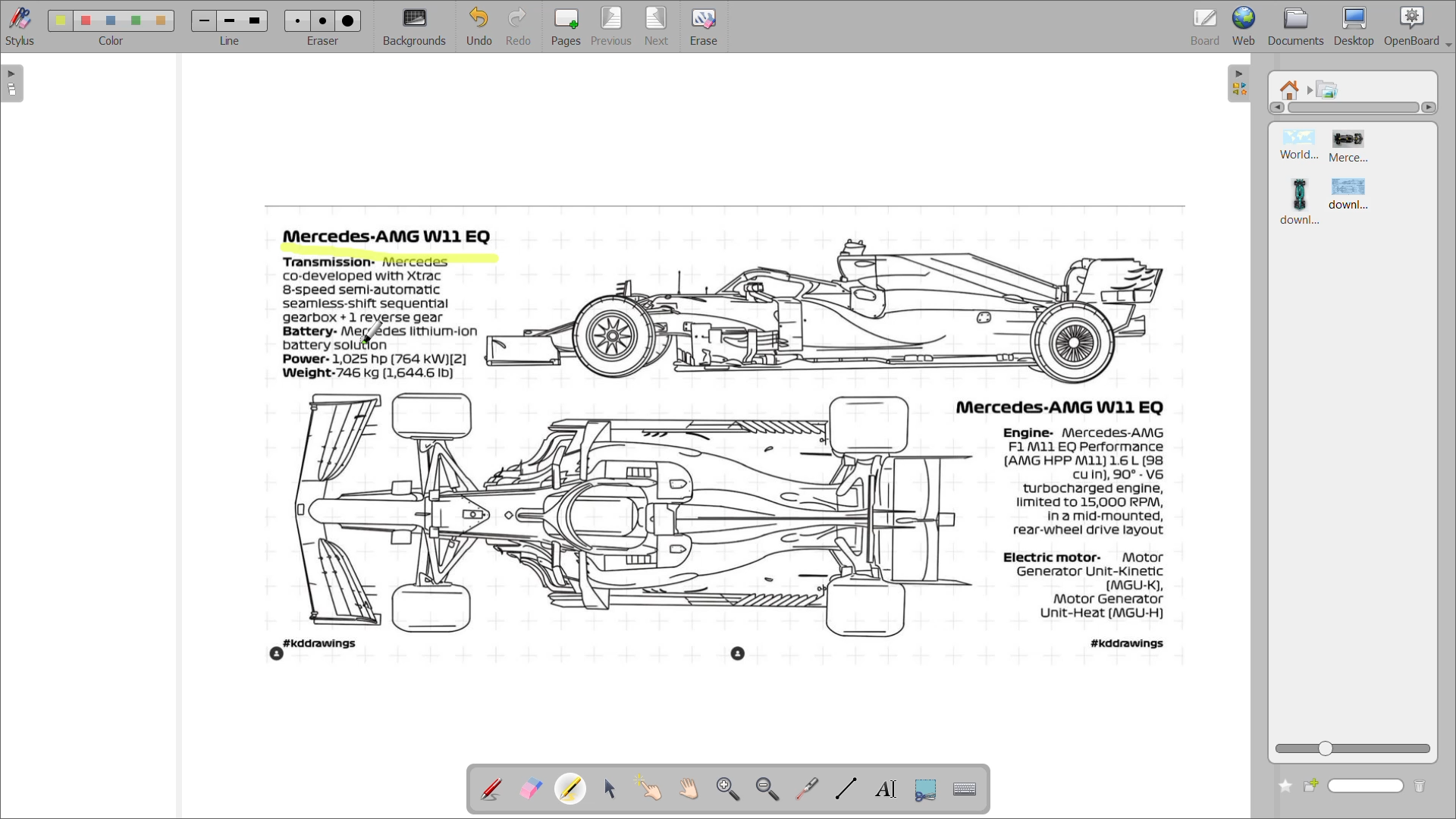  What do you see at coordinates (298, 20) in the screenshot?
I see `eraser 1` at bounding box center [298, 20].